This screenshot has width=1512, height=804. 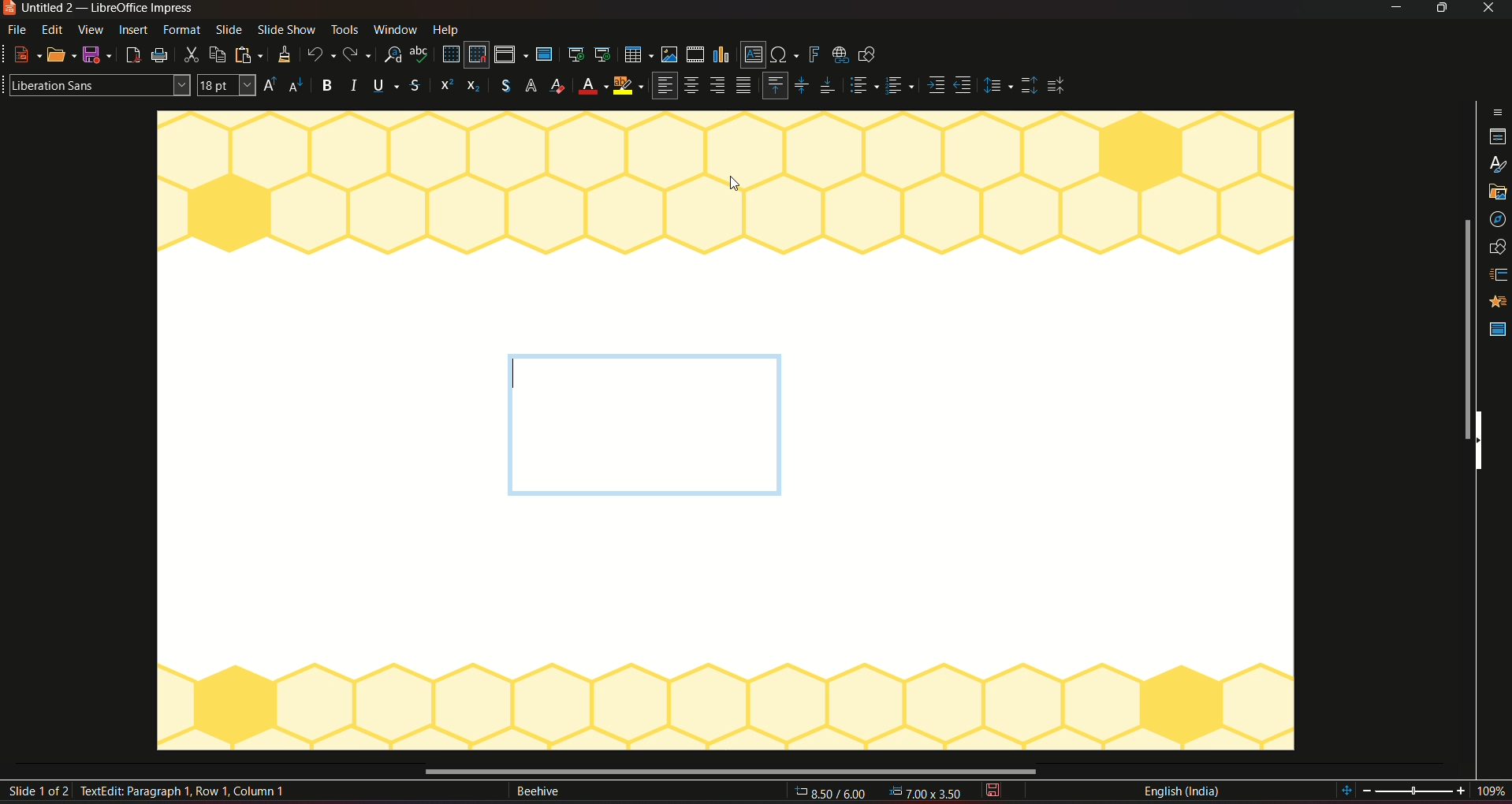 What do you see at coordinates (1463, 328) in the screenshot?
I see `vertical scrollbar` at bounding box center [1463, 328].